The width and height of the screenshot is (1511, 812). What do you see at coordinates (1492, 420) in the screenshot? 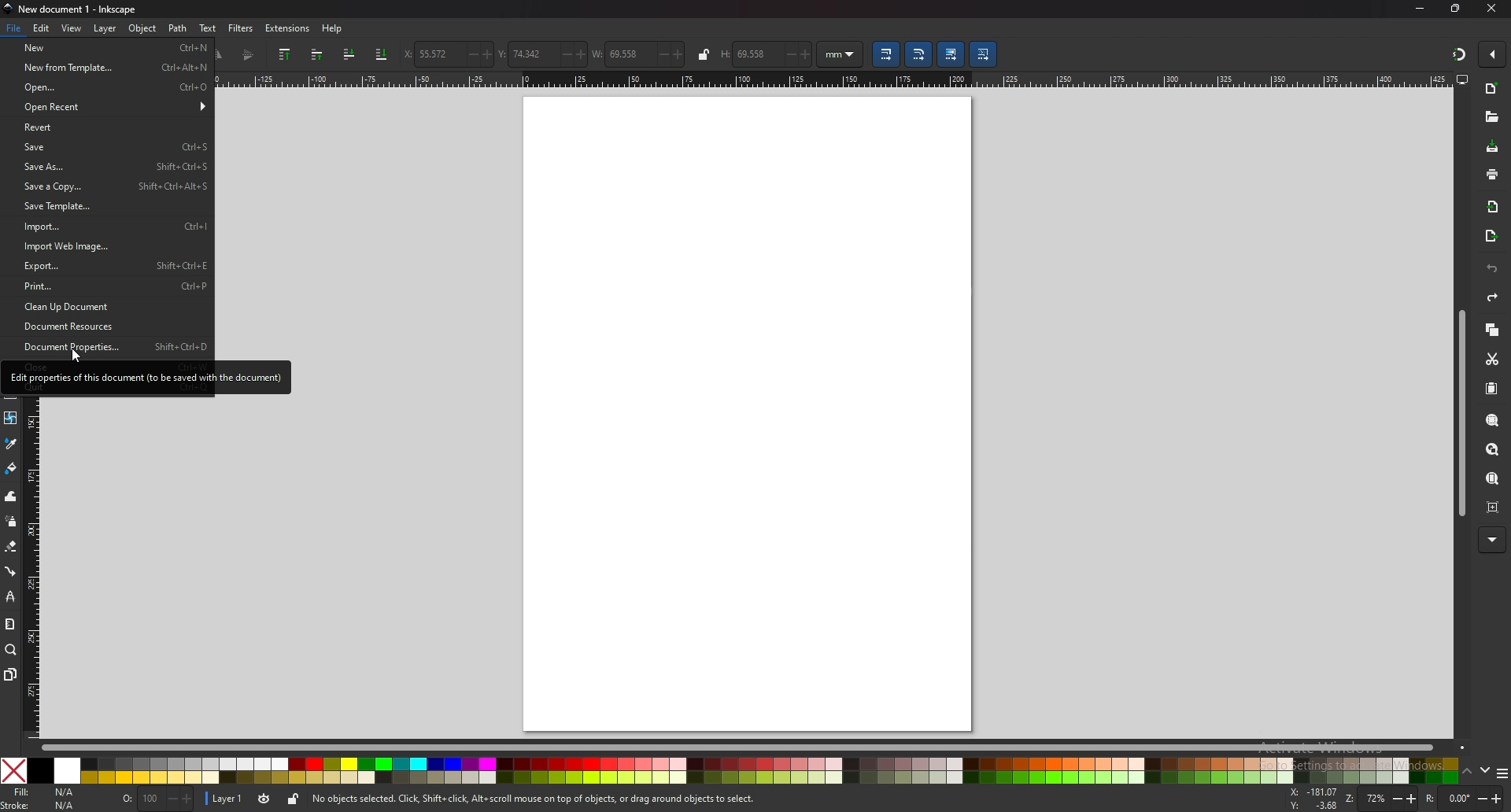
I see `zoom selection` at bounding box center [1492, 420].